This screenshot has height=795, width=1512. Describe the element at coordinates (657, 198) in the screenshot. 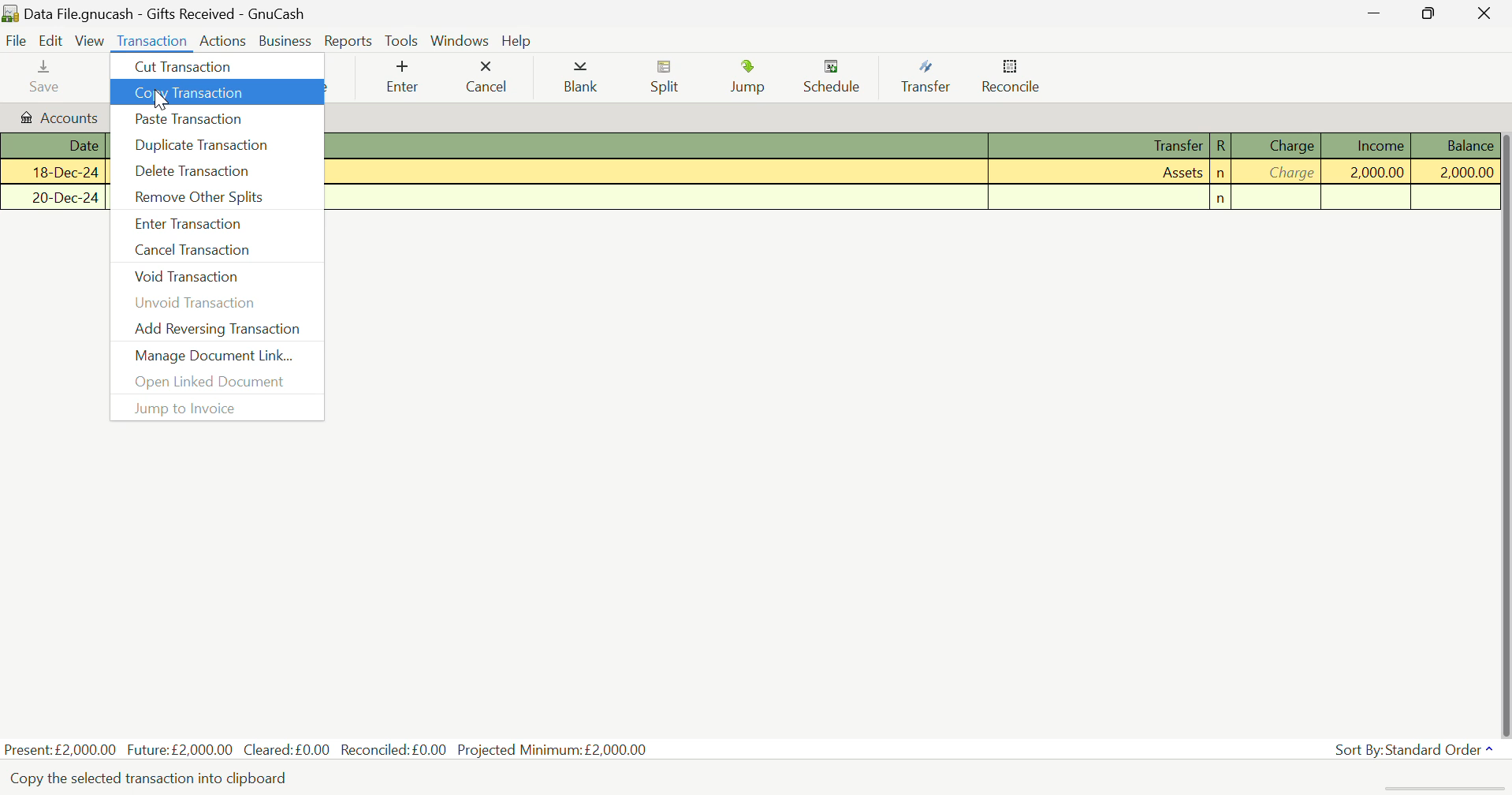

I see `Description` at that location.